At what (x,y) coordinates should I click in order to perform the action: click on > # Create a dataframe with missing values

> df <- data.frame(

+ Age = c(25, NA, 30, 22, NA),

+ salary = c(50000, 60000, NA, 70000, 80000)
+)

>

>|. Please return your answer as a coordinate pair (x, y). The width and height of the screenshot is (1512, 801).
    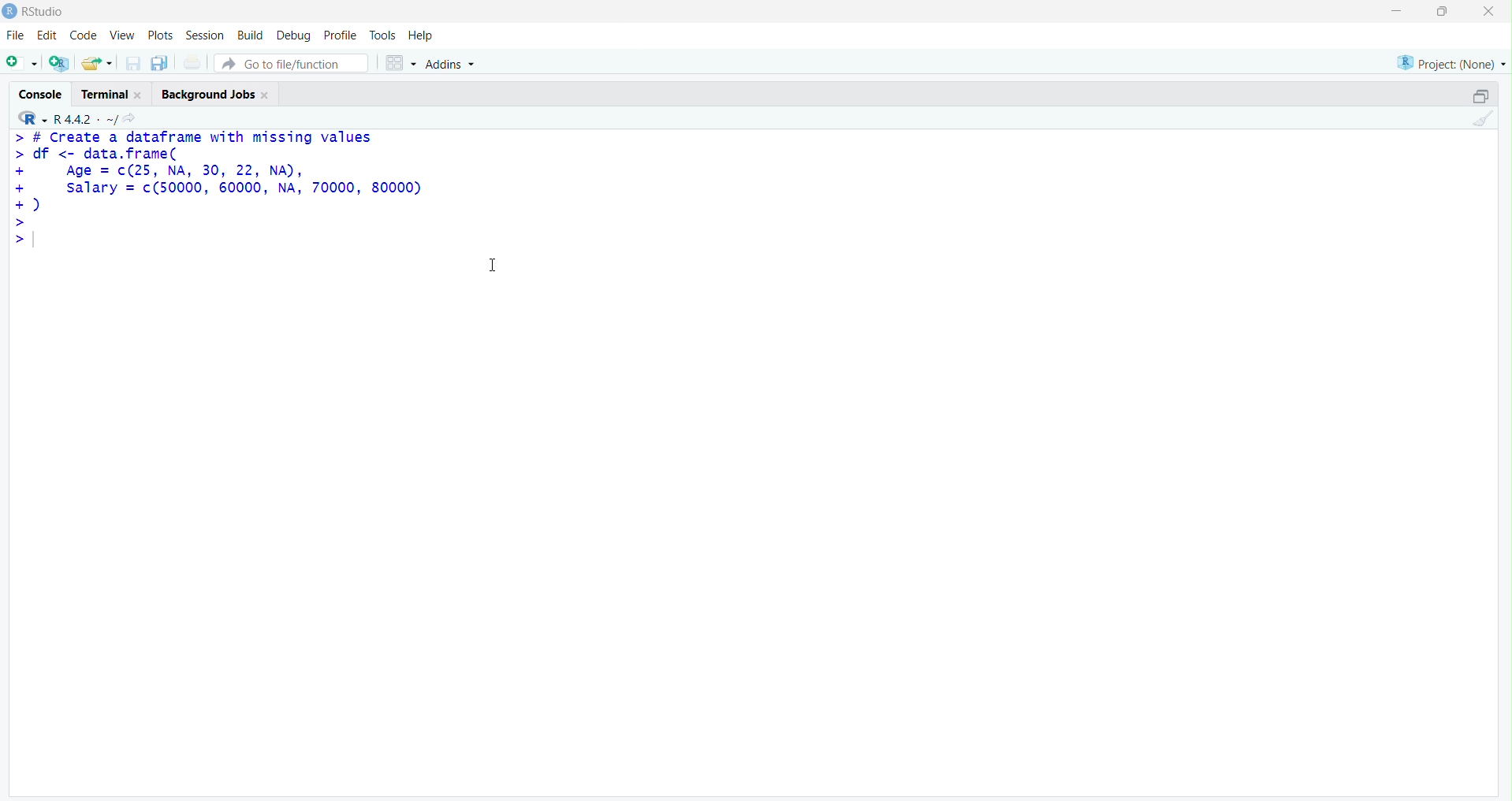
    Looking at the image, I should click on (229, 206).